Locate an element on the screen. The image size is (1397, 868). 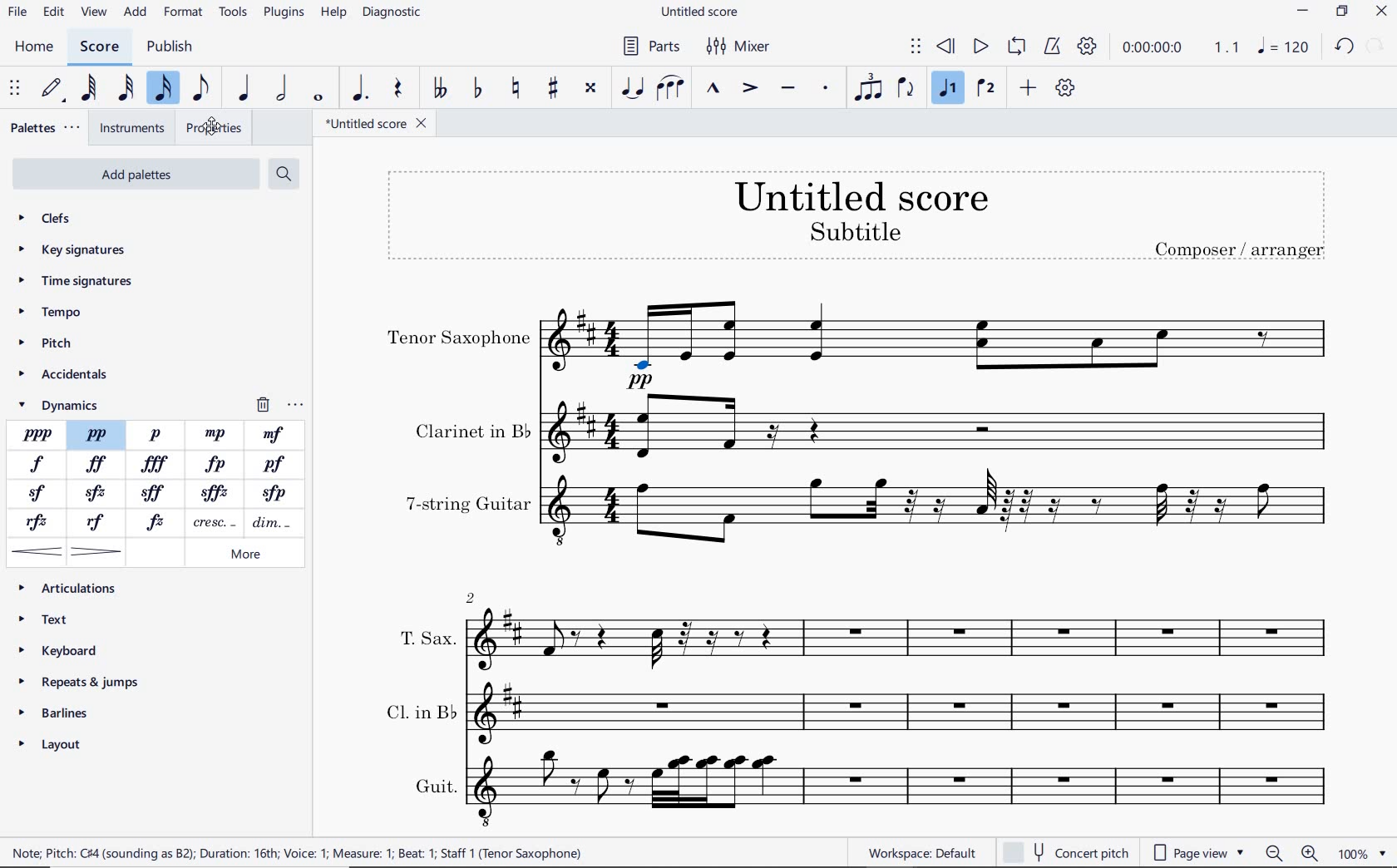
text is located at coordinates (459, 339).